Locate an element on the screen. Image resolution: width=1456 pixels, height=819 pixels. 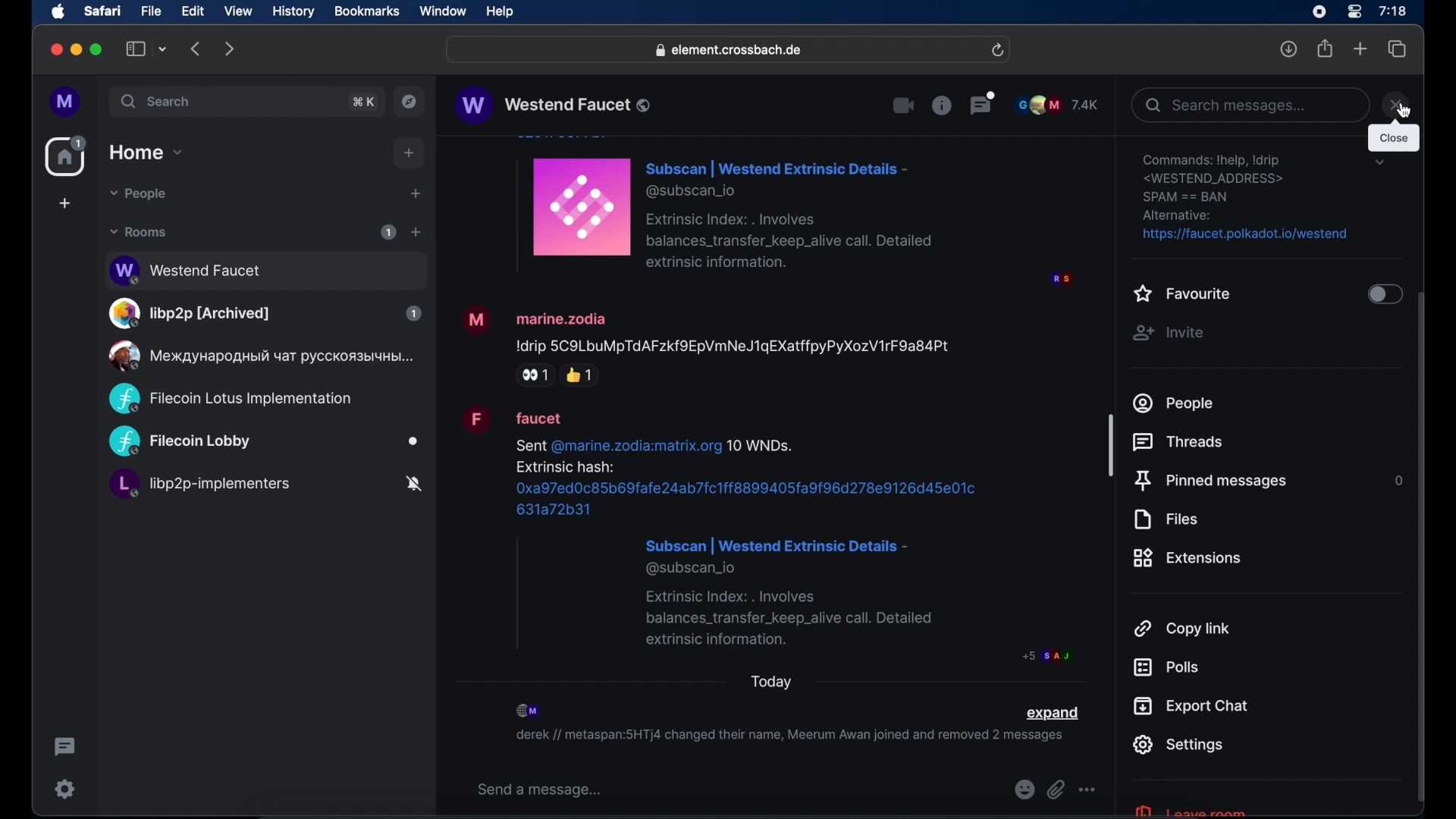
profile is located at coordinates (66, 102).